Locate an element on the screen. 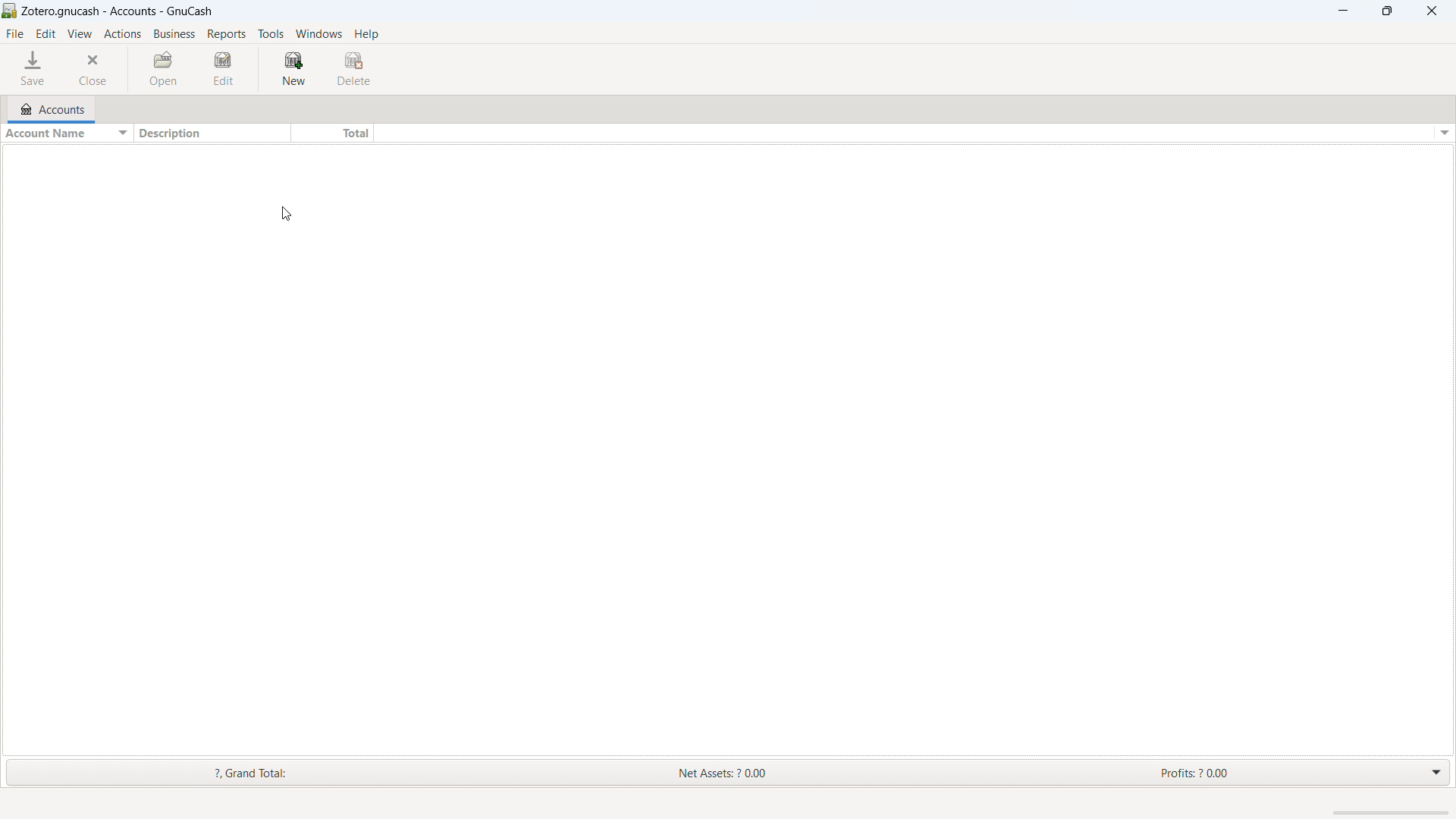  edit is located at coordinates (225, 68).